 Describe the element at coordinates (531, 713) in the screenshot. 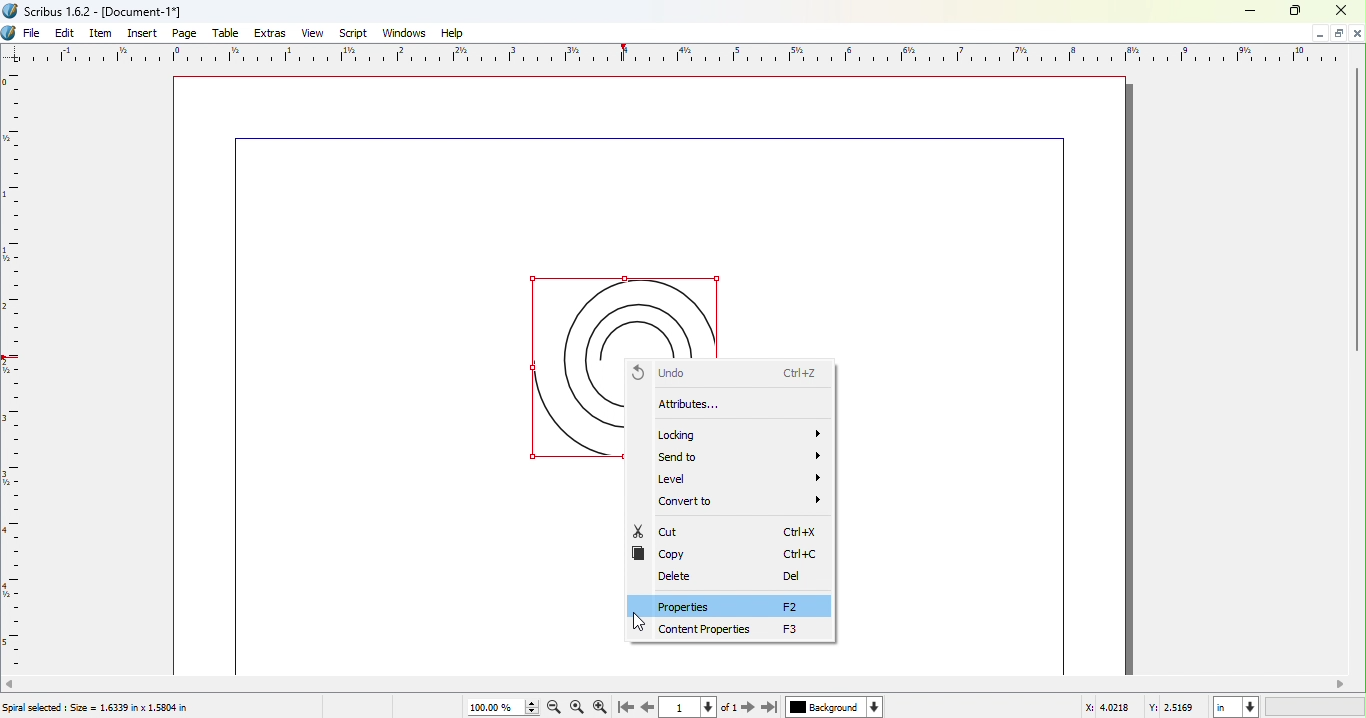

I see `decrease zoom ` at that location.